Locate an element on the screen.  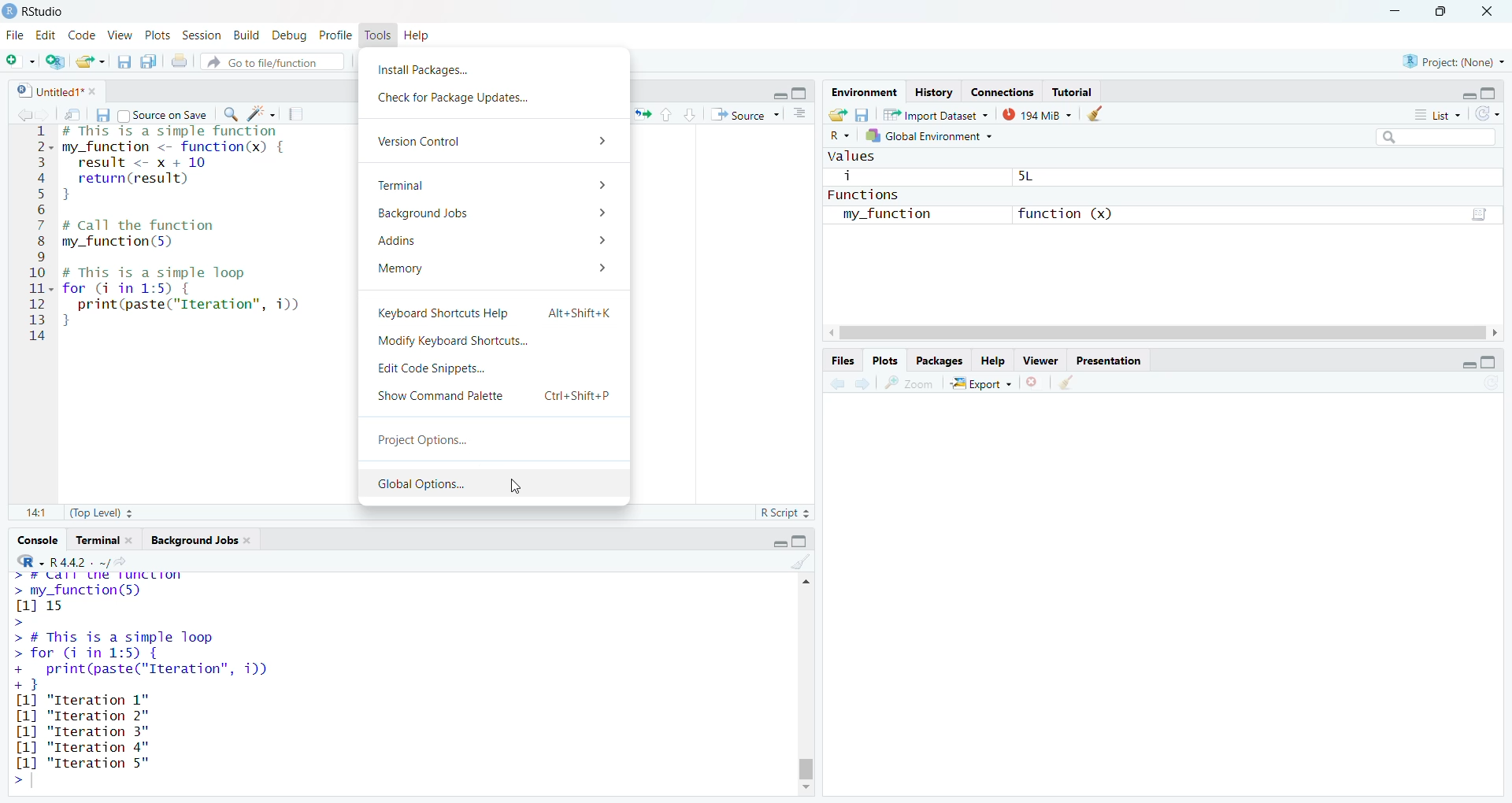
print the current file is located at coordinates (181, 61).